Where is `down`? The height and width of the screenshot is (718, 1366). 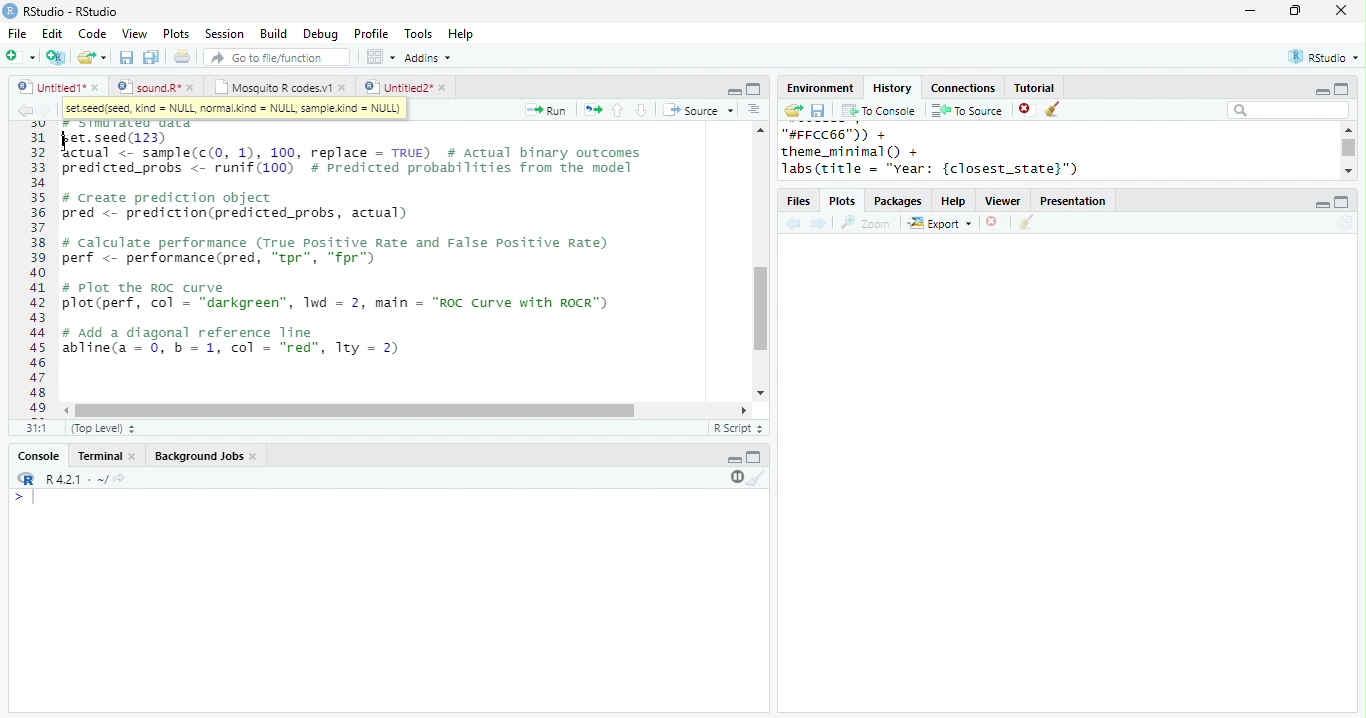
down is located at coordinates (640, 110).